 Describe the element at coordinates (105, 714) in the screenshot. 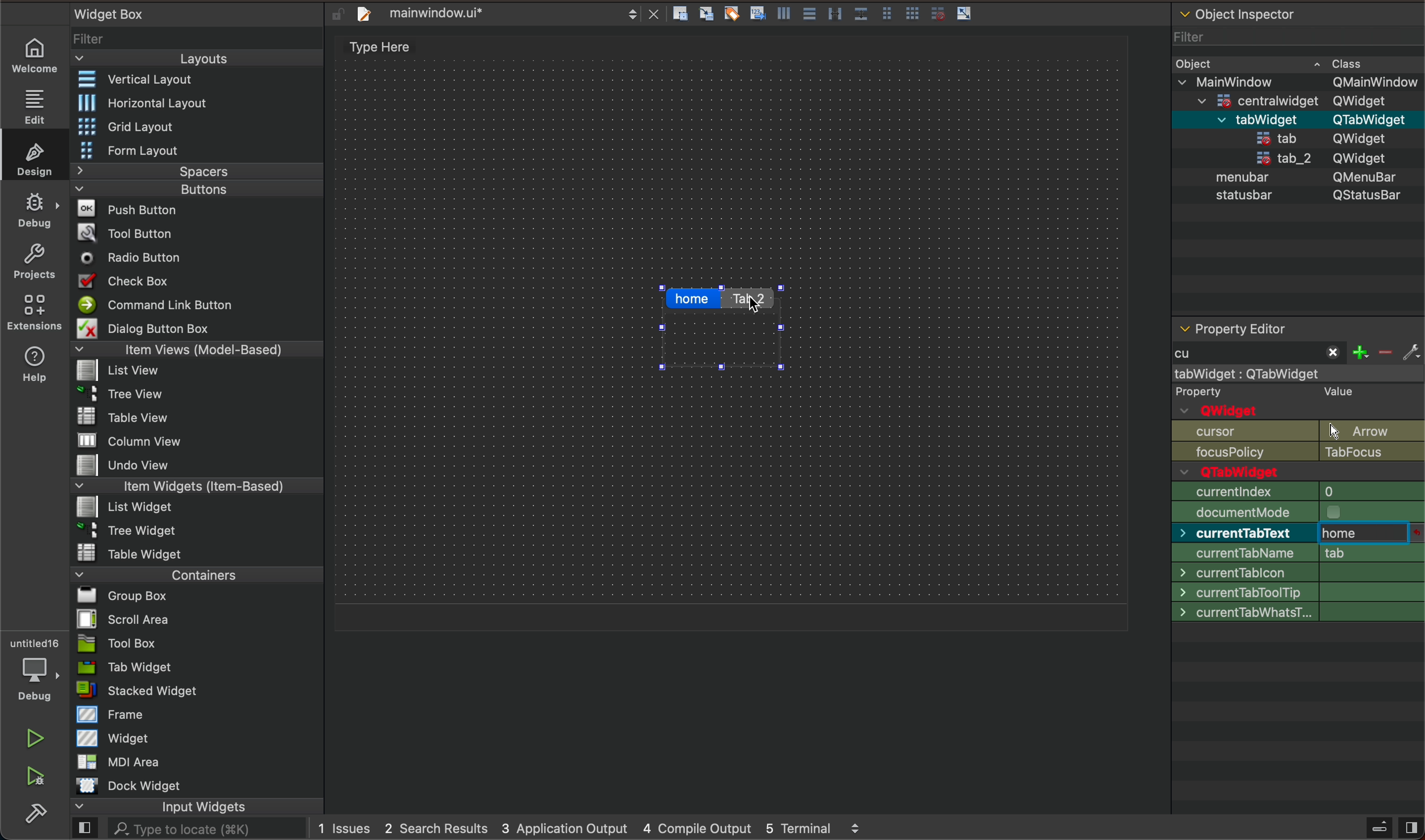

I see `Frame` at that location.